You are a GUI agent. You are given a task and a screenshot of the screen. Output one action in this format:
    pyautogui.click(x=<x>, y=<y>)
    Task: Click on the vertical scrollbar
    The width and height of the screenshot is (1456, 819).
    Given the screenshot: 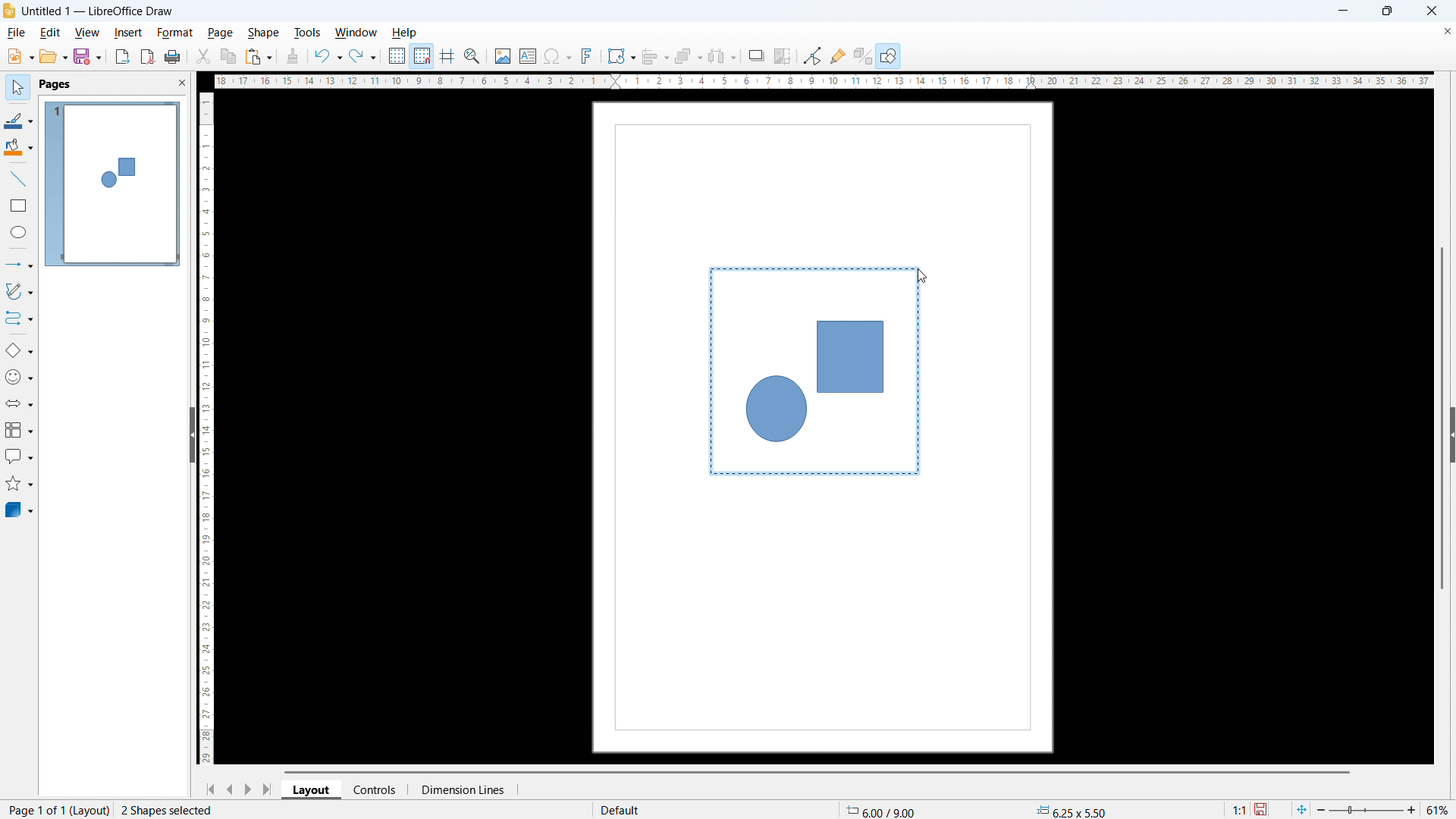 What is the action you would take?
    pyautogui.click(x=1442, y=416)
    